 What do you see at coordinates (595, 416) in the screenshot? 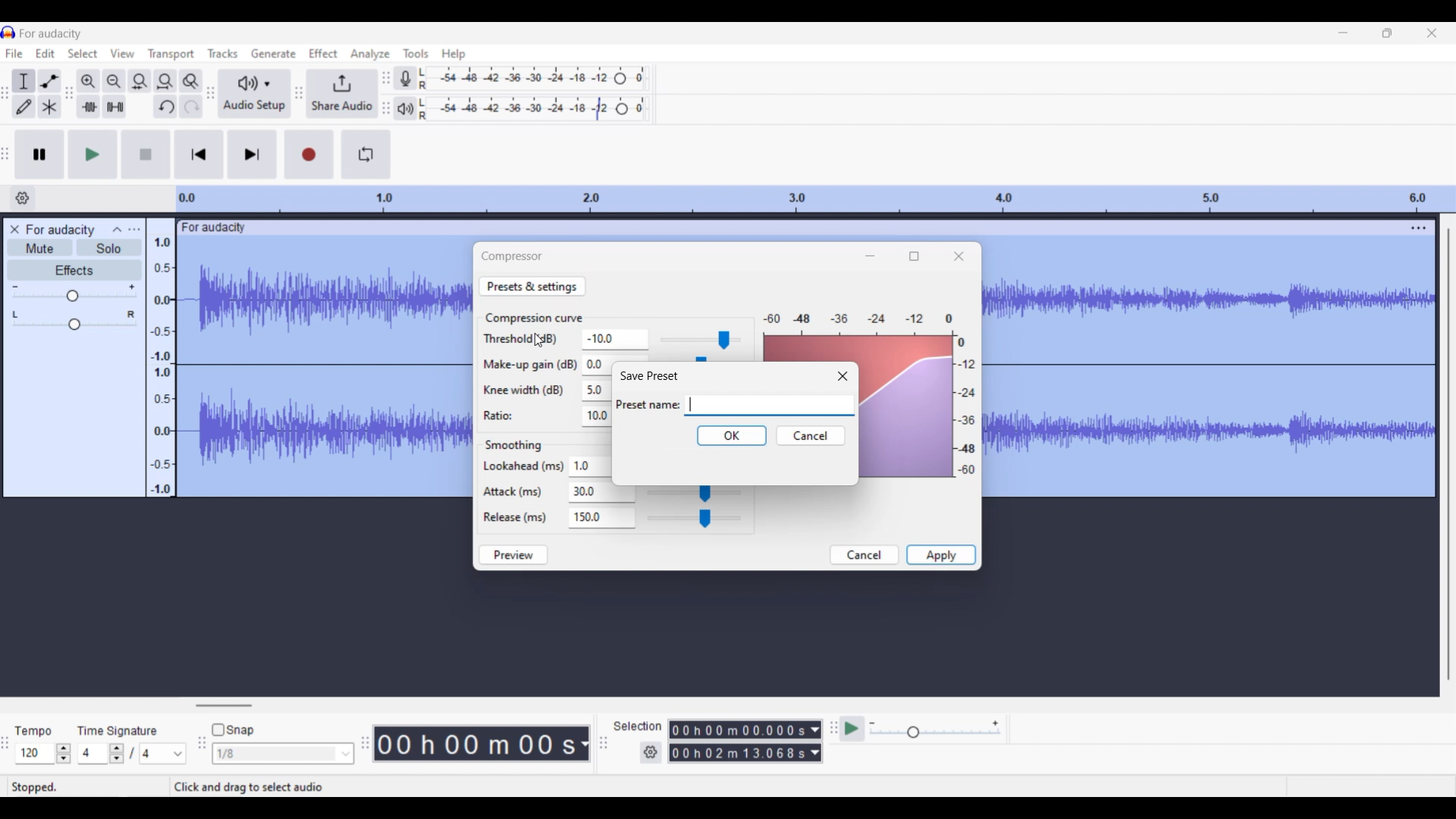
I see `Text box for ratio` at bounding box center [595, 416].